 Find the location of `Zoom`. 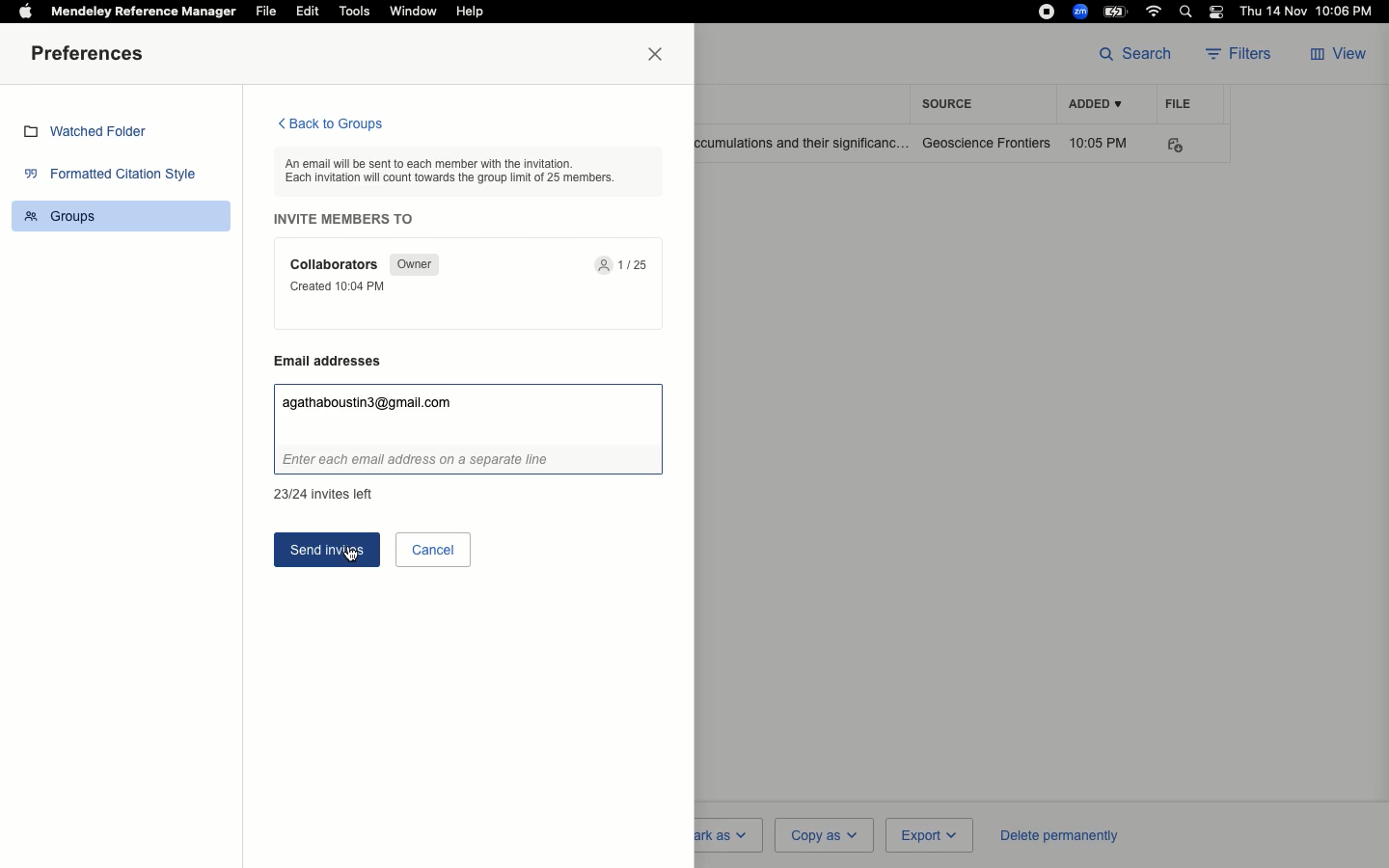

Zoom is located at coordinates (1081, 12).